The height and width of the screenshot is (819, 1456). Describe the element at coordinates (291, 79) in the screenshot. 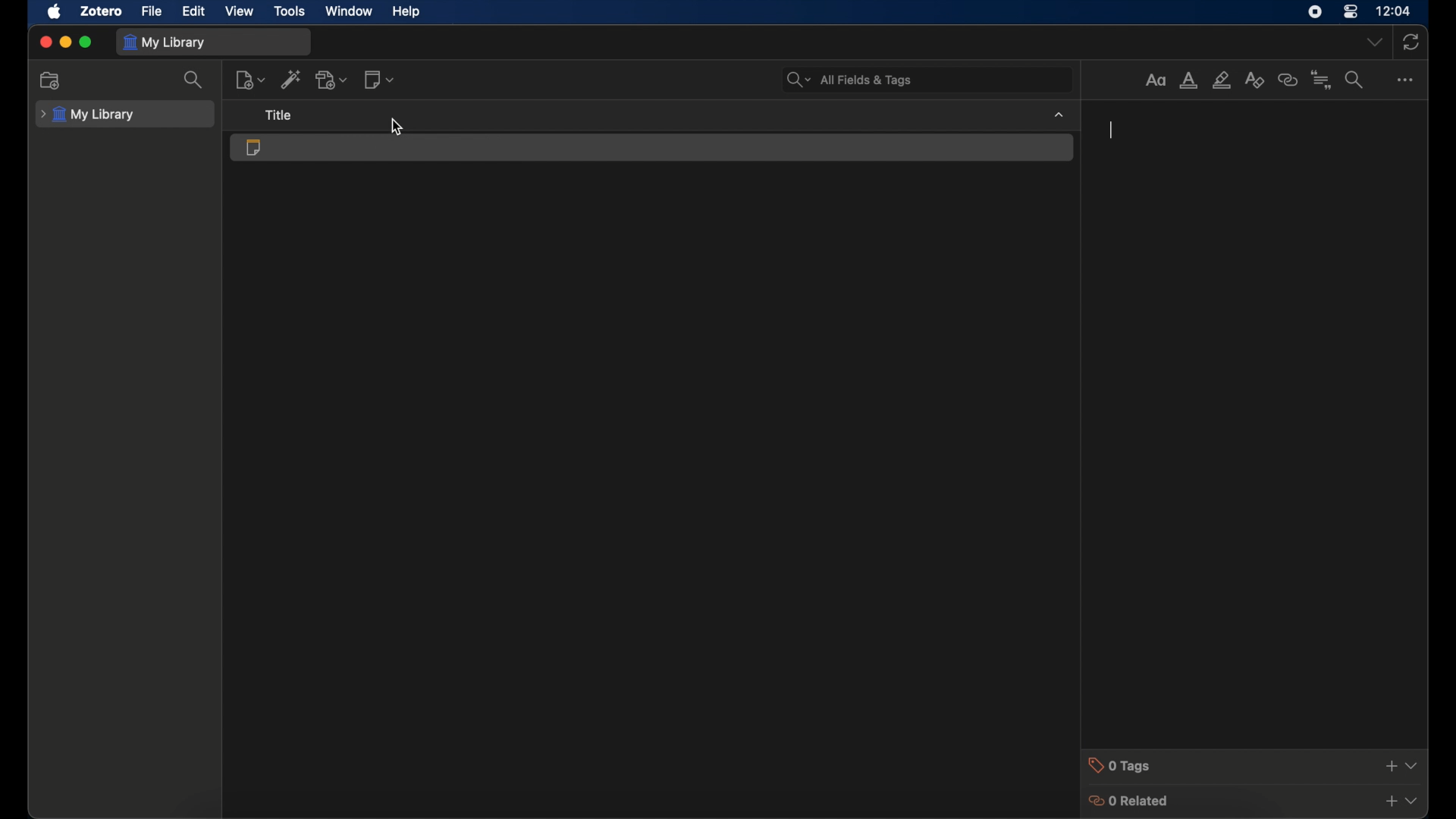

I see `add items by identifier` at that location.